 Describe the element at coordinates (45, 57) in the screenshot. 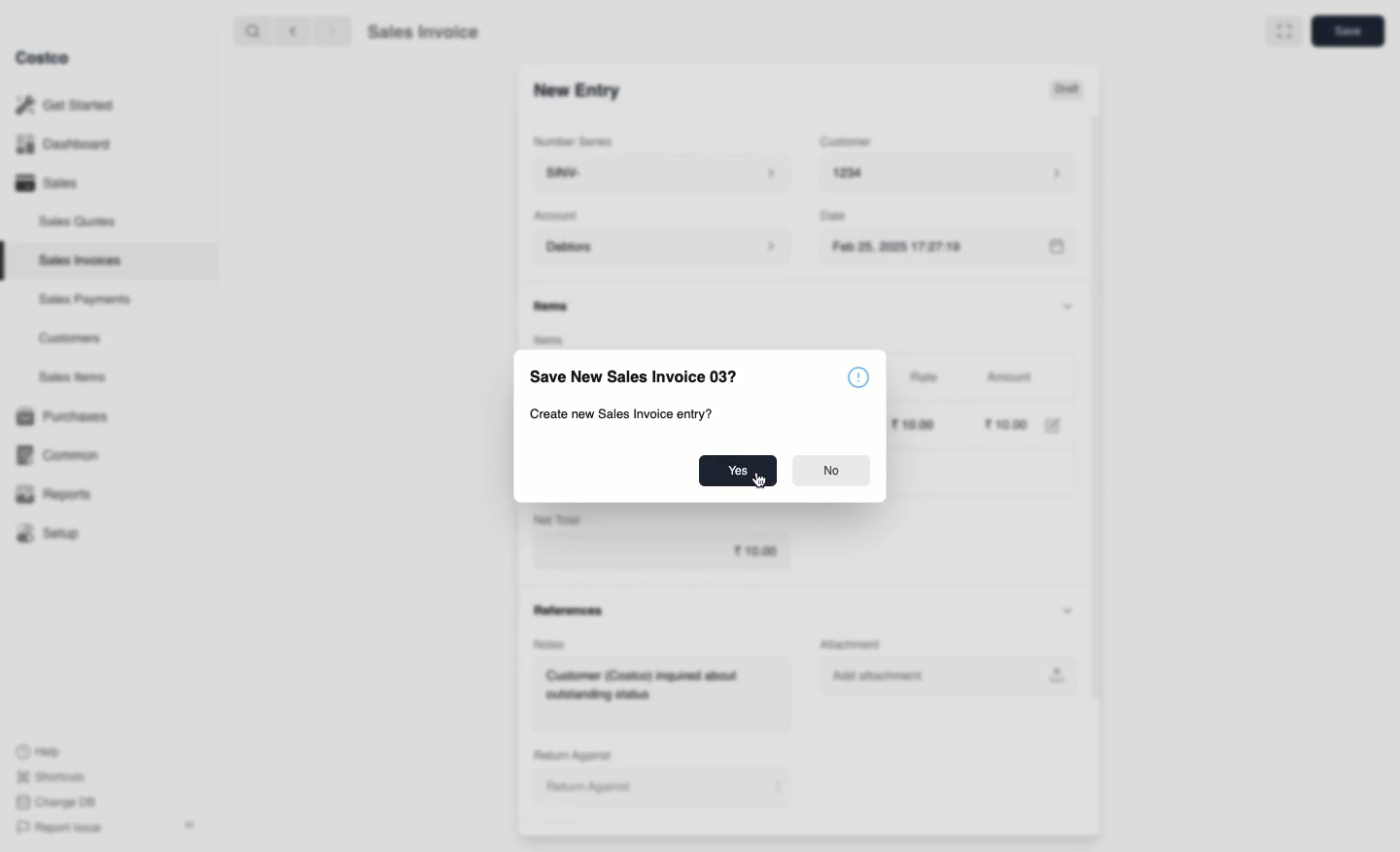

I see `Costco` at that location.